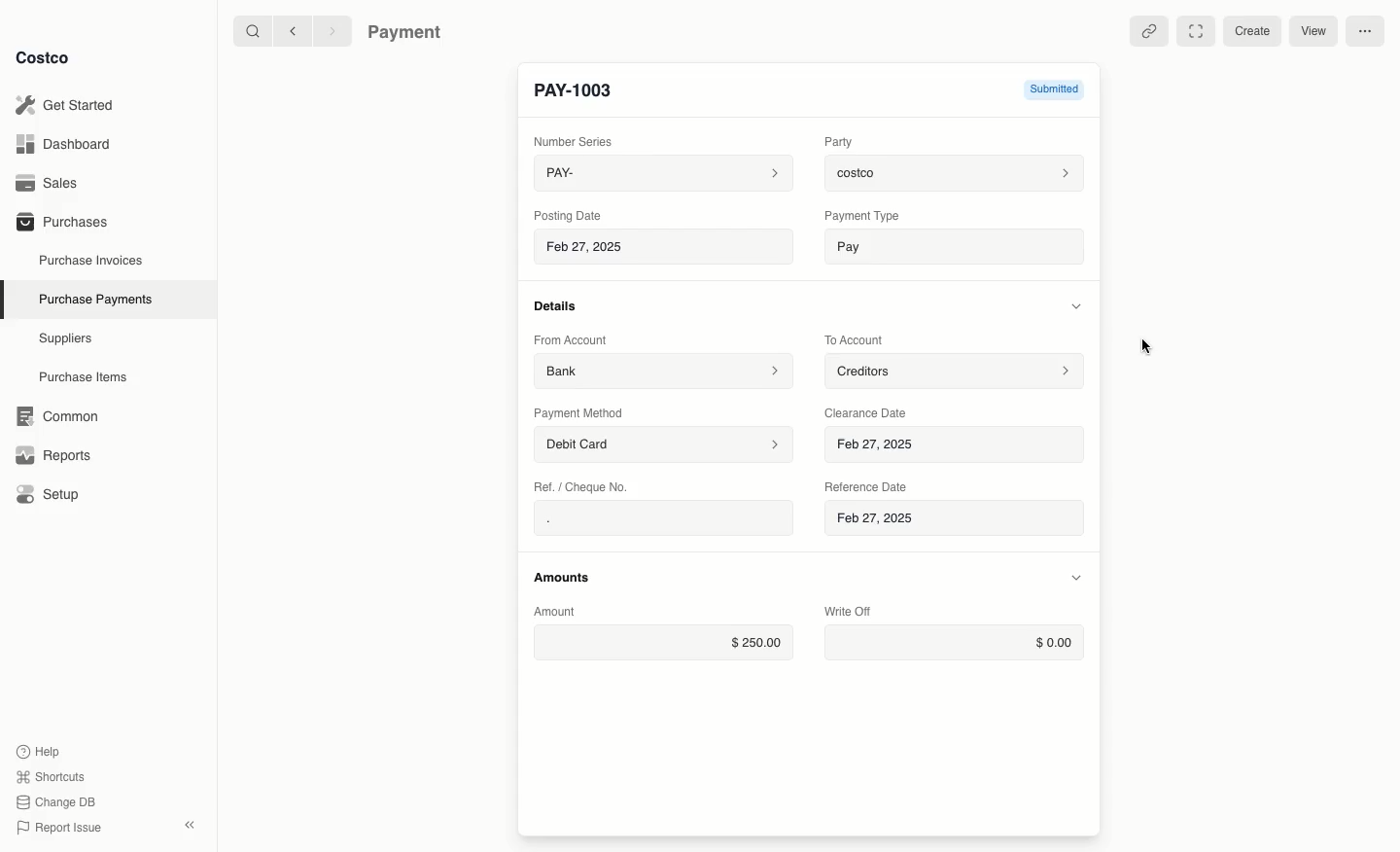  I want to click on Hide, so click(1071, 579).